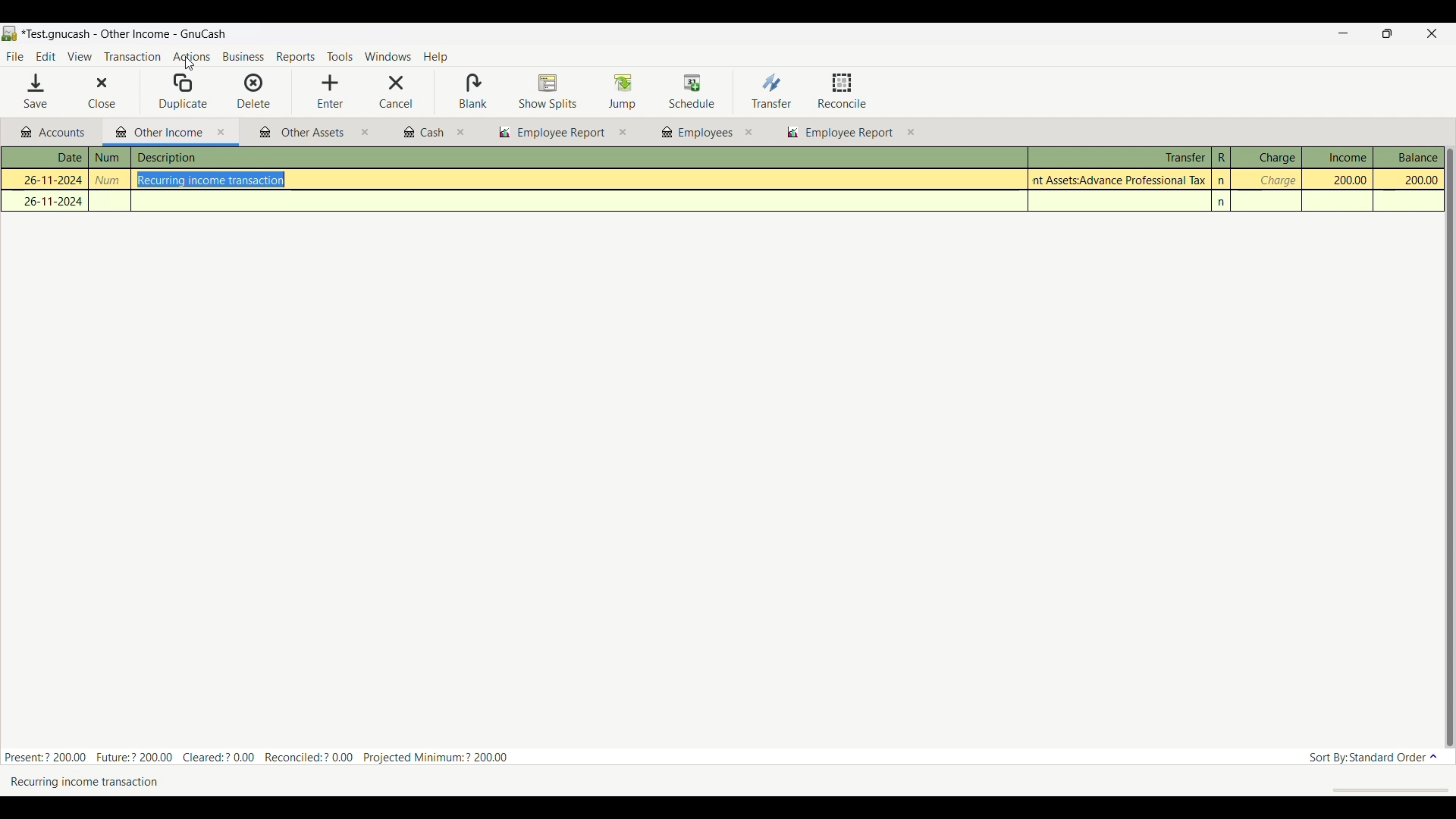  I want to click on close, so click(748, 132).